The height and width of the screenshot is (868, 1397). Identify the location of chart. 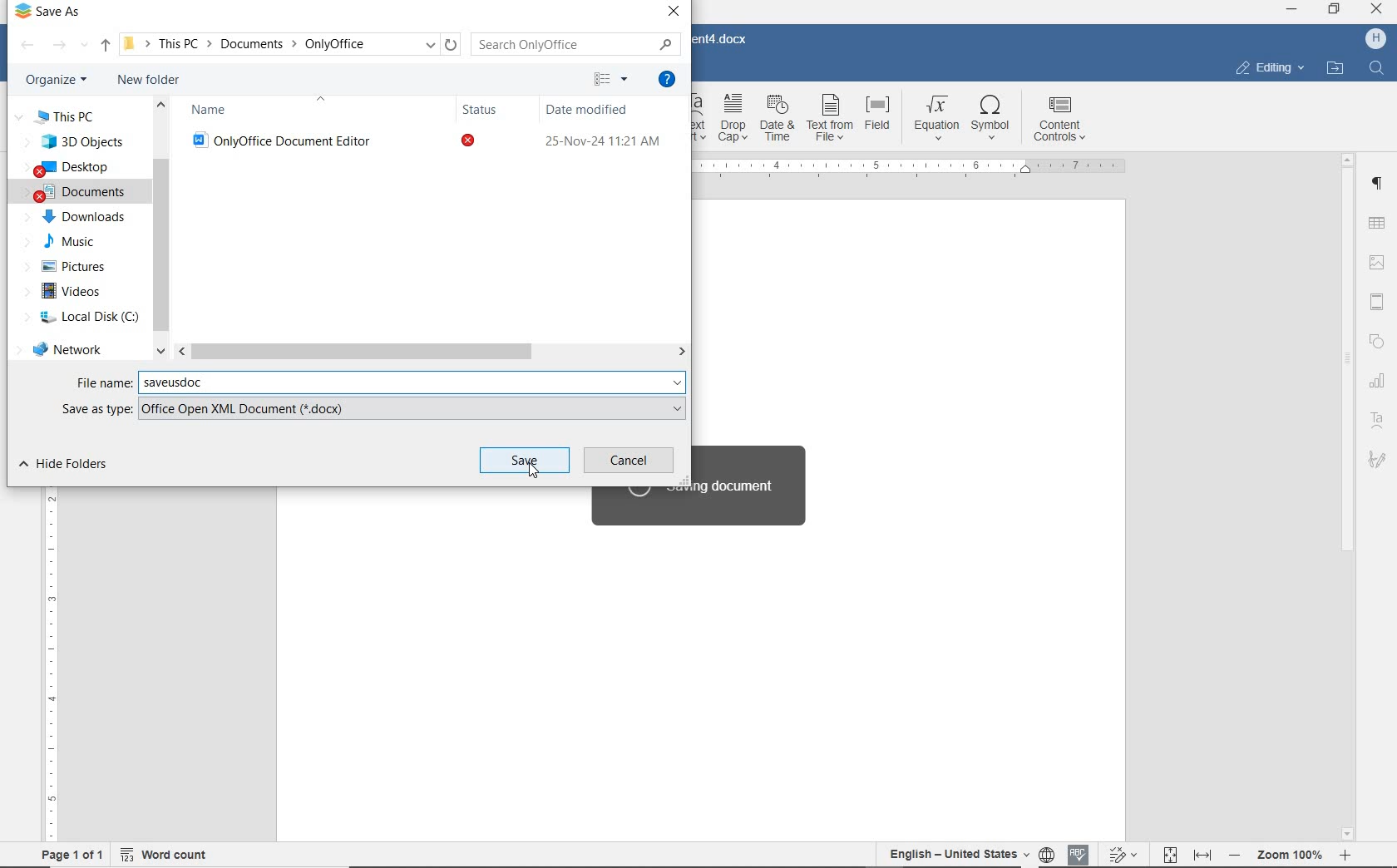
(1379, 382).